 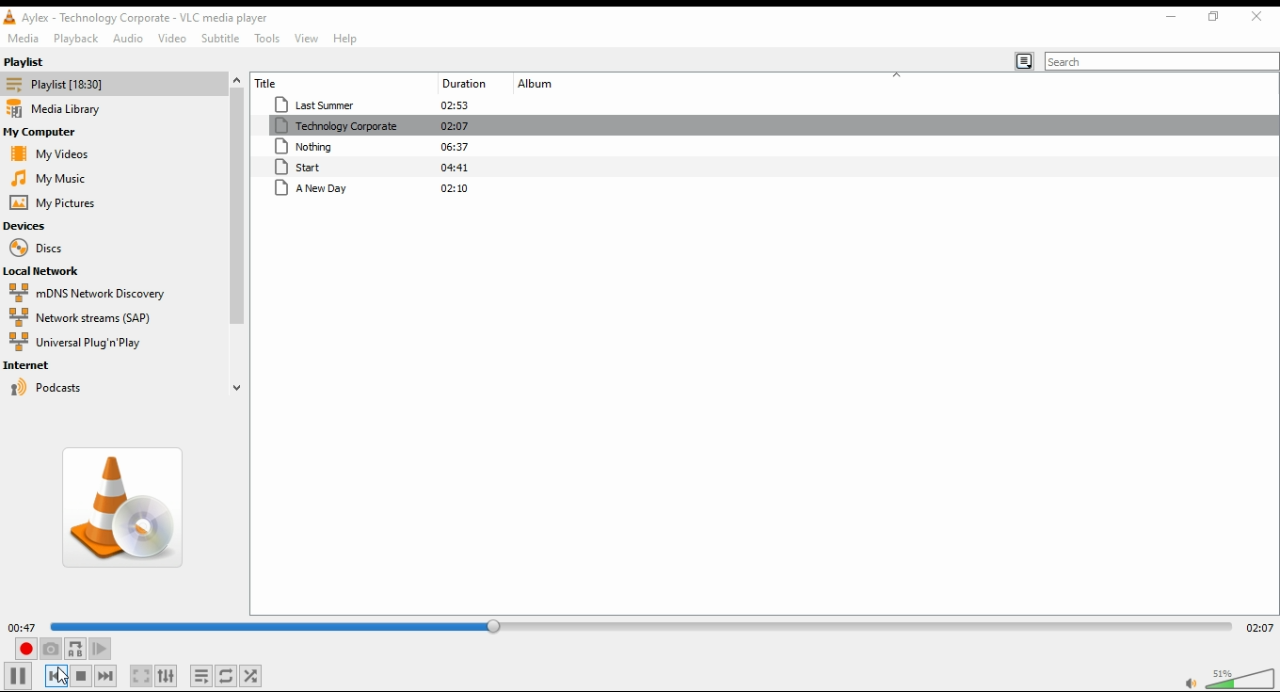 I want to click on local network, so click(x=51, y=272).